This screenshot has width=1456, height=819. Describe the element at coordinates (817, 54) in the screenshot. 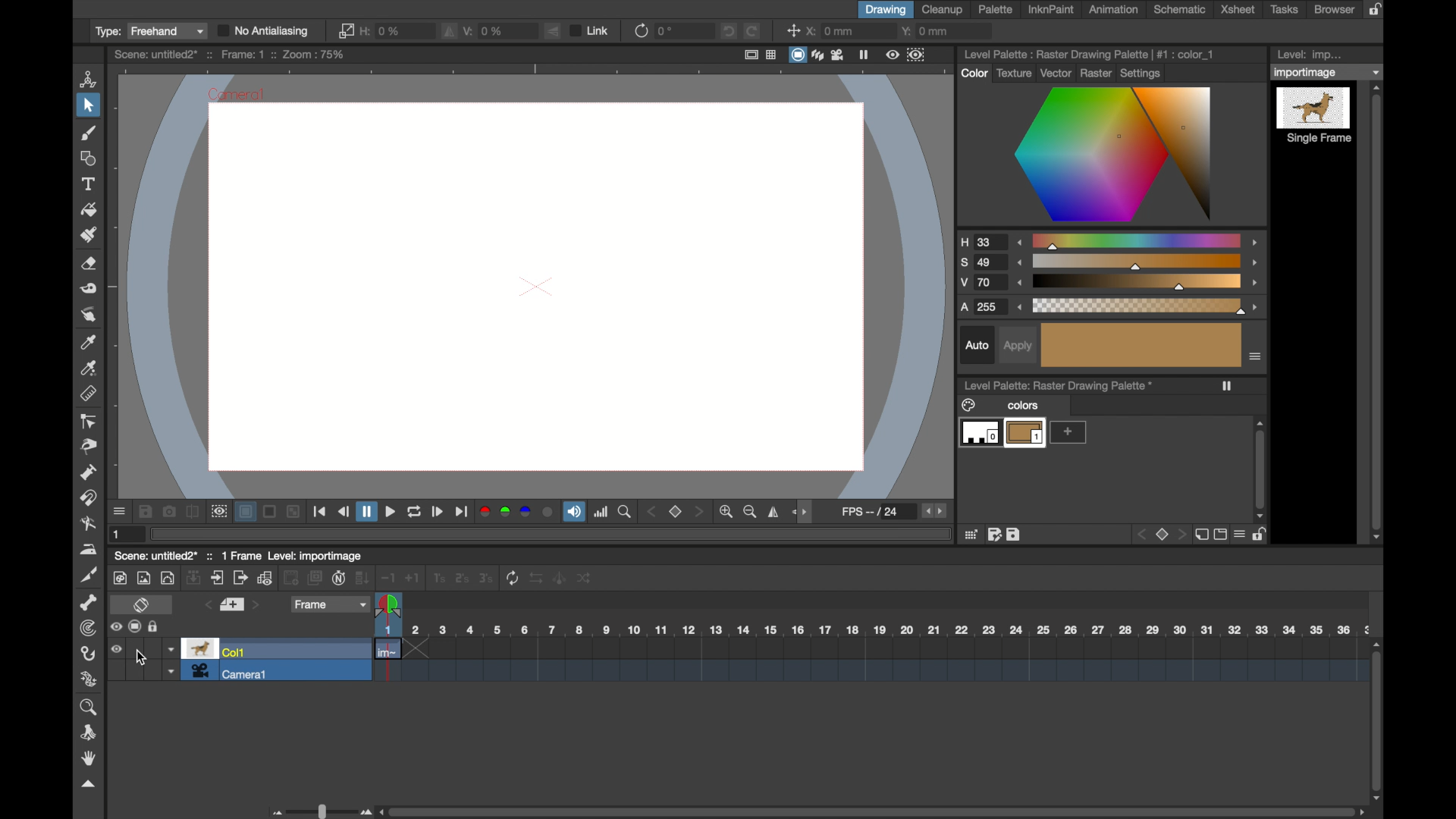

I see `layers` at that location.